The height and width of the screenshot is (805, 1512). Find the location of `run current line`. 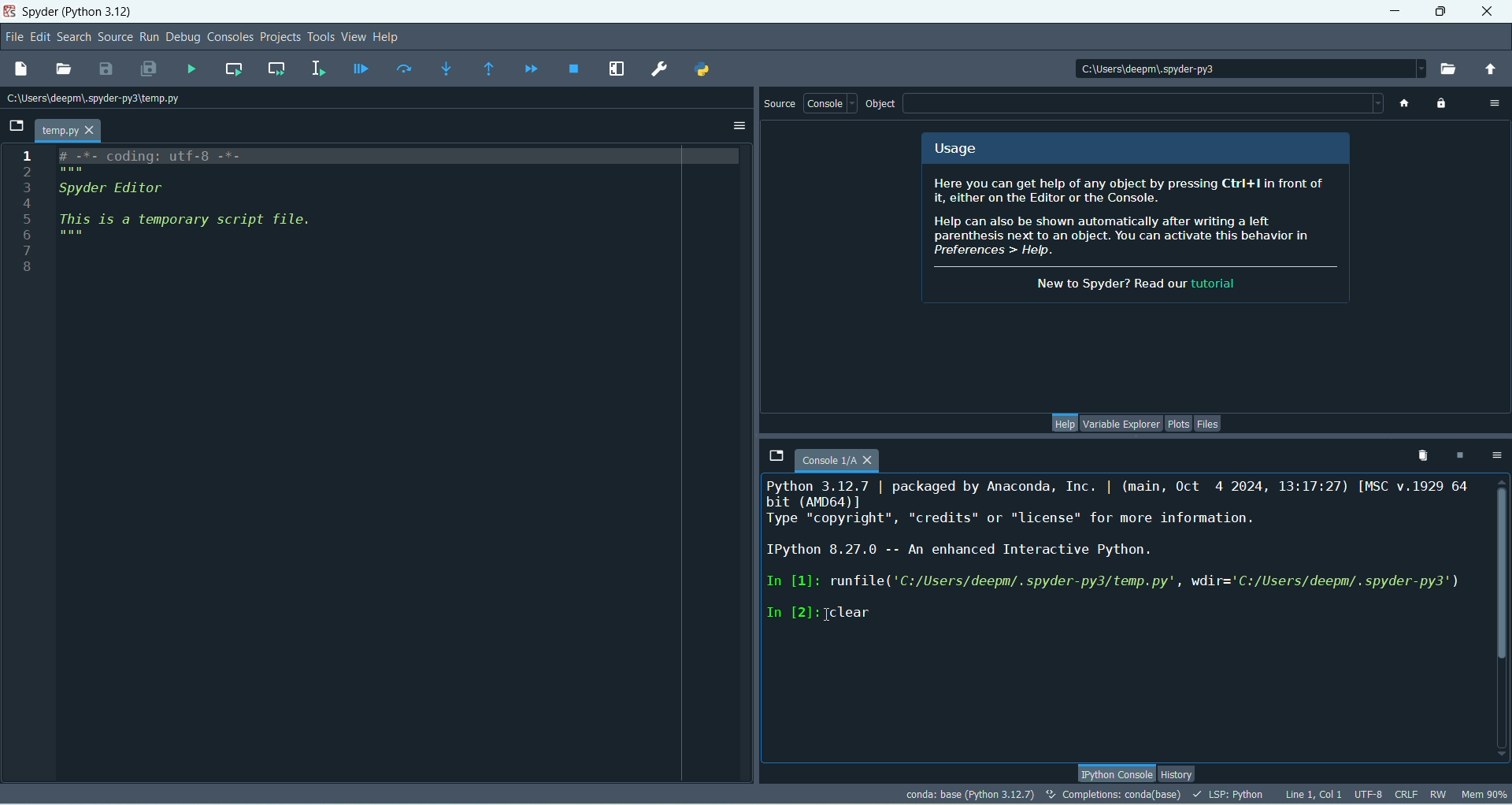

run current line is located at coordinates (404, 69).